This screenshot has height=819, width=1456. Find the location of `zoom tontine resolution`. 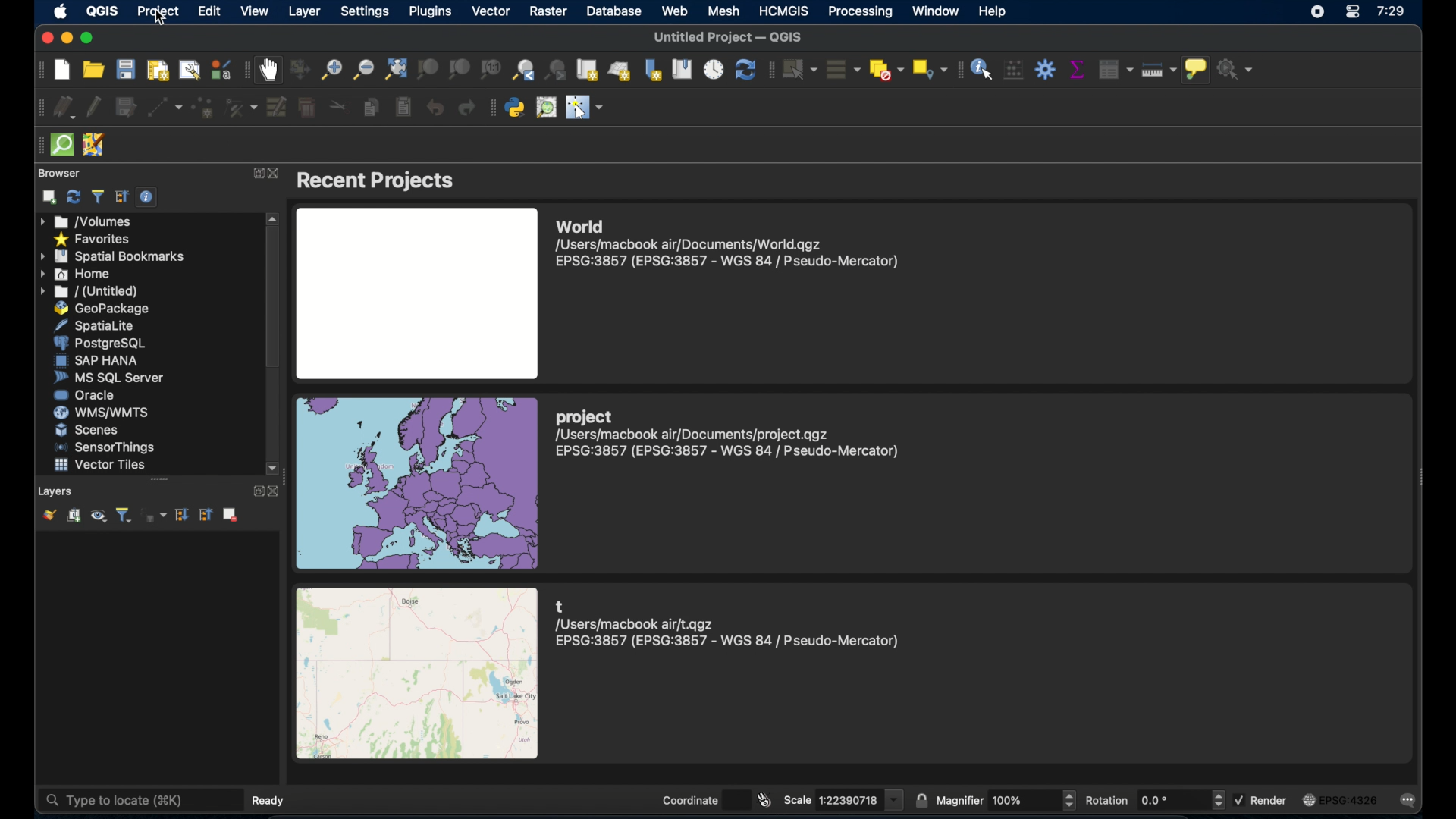

zoom tontine resolution is located at coordinates (490, 70).